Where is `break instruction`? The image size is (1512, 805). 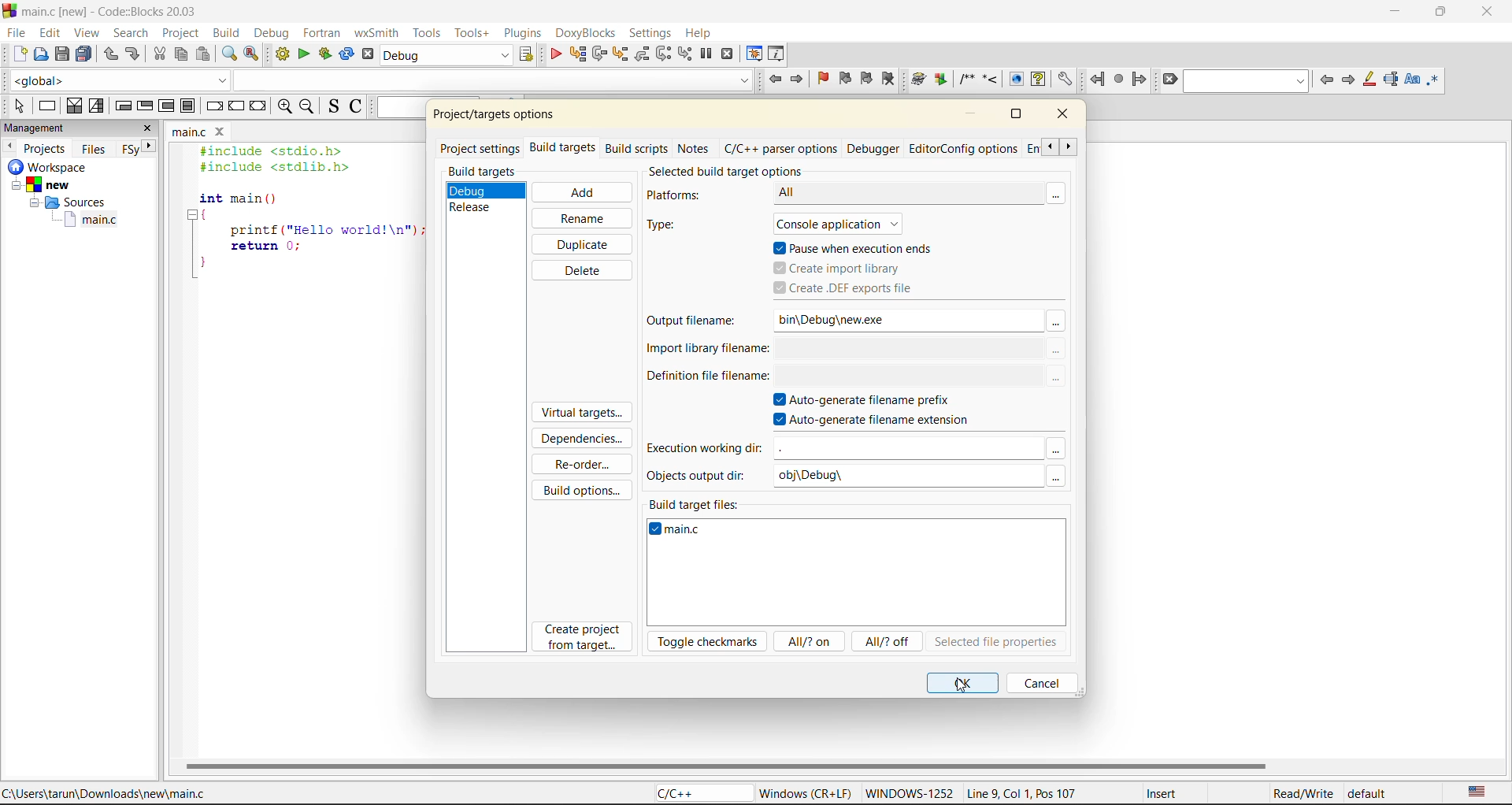
break instruction is located at coordinates (187, 106).